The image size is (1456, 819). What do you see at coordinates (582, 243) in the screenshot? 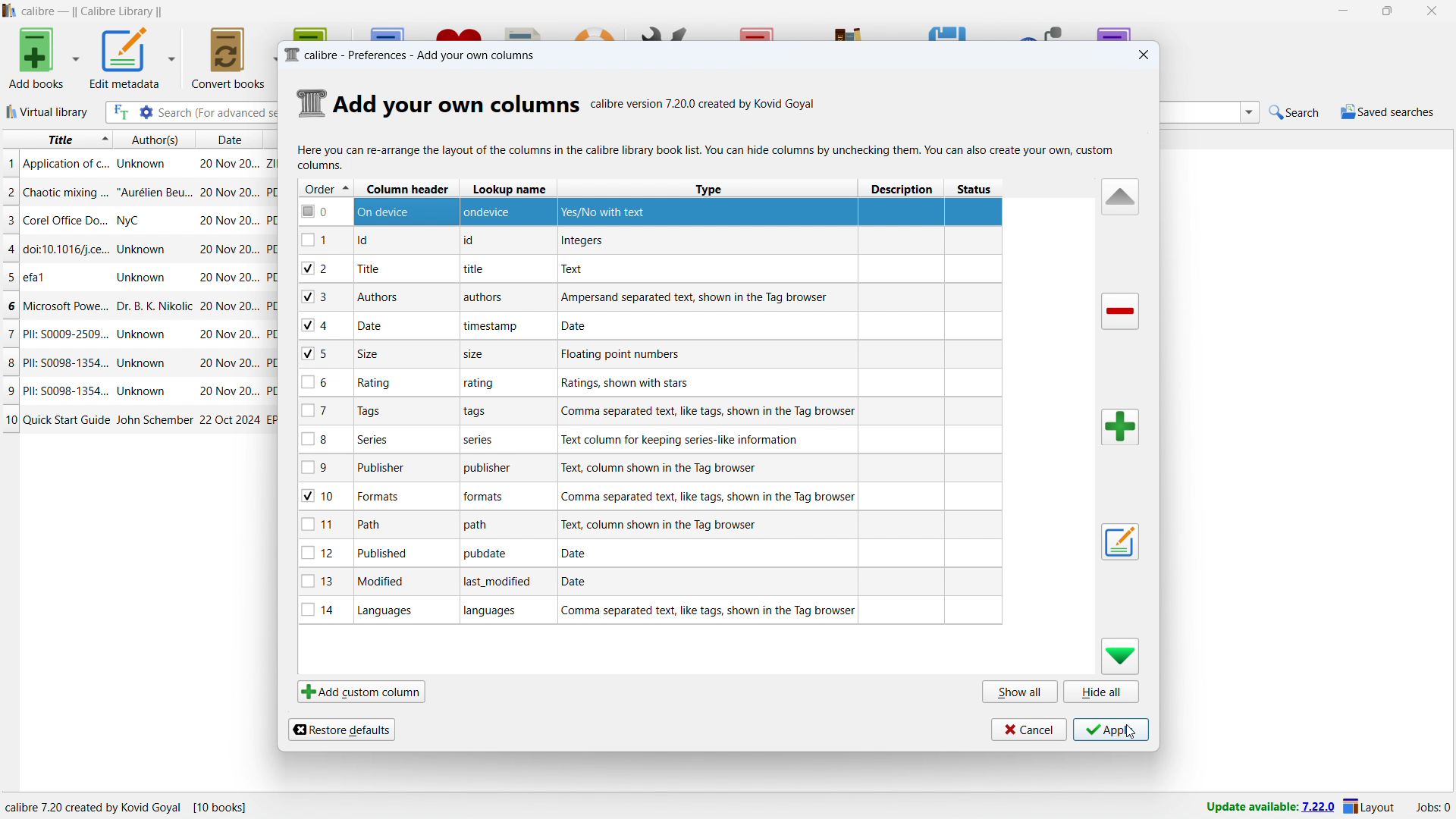
I see `Integers` at bounding box center [582, 243].